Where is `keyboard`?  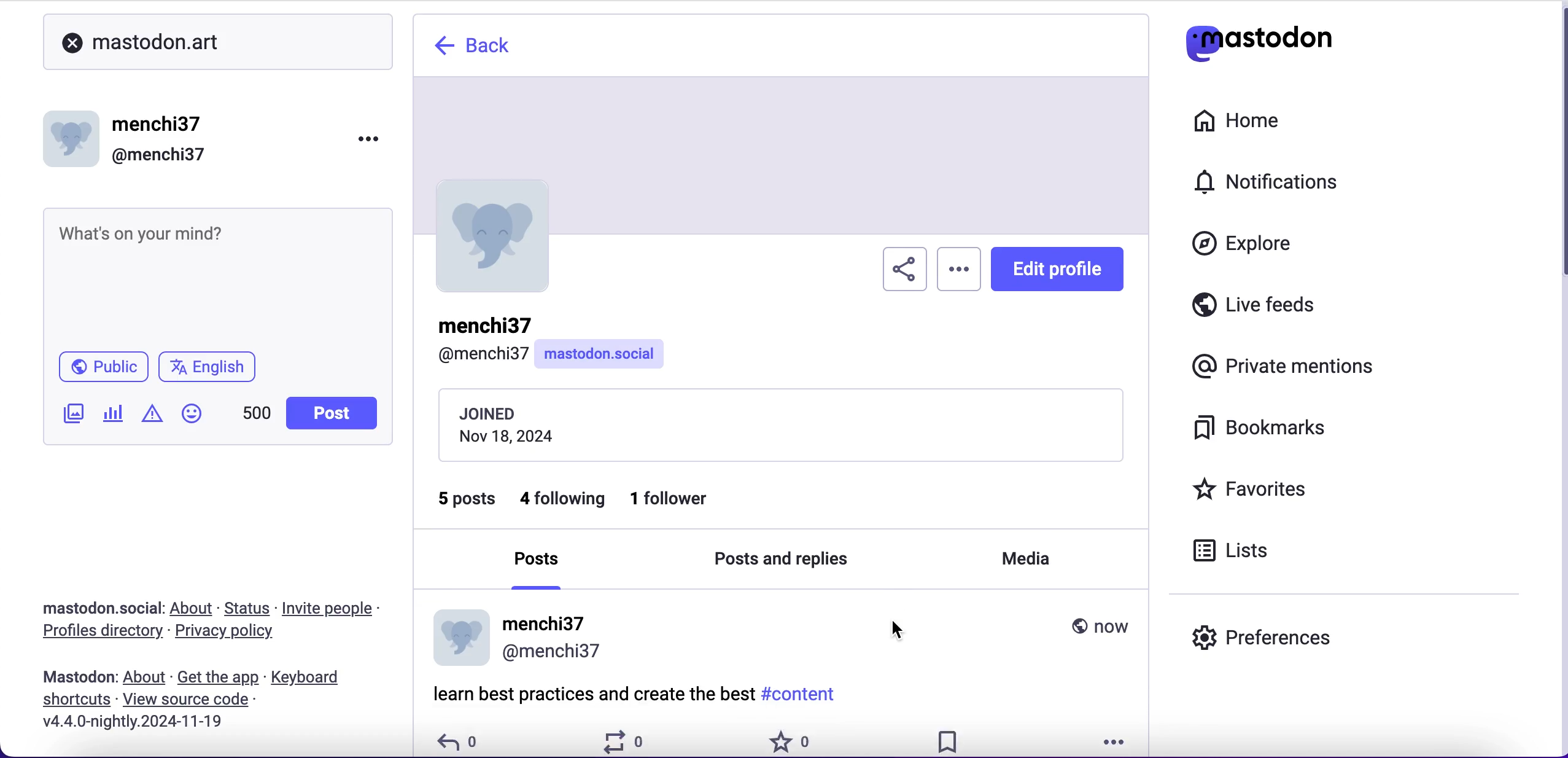 keyboard is located at coordinates (309, 678).